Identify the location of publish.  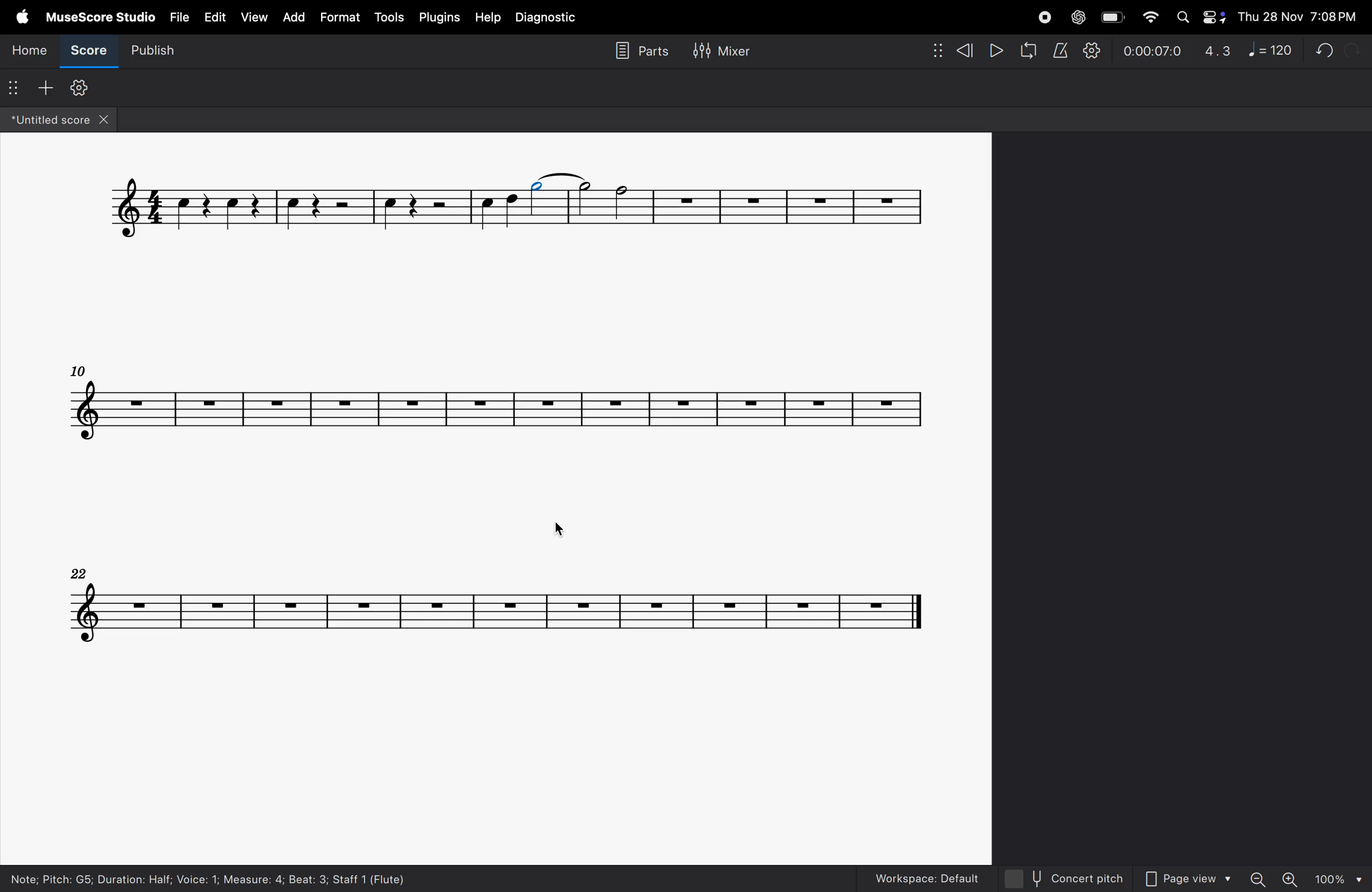
(149, 50).